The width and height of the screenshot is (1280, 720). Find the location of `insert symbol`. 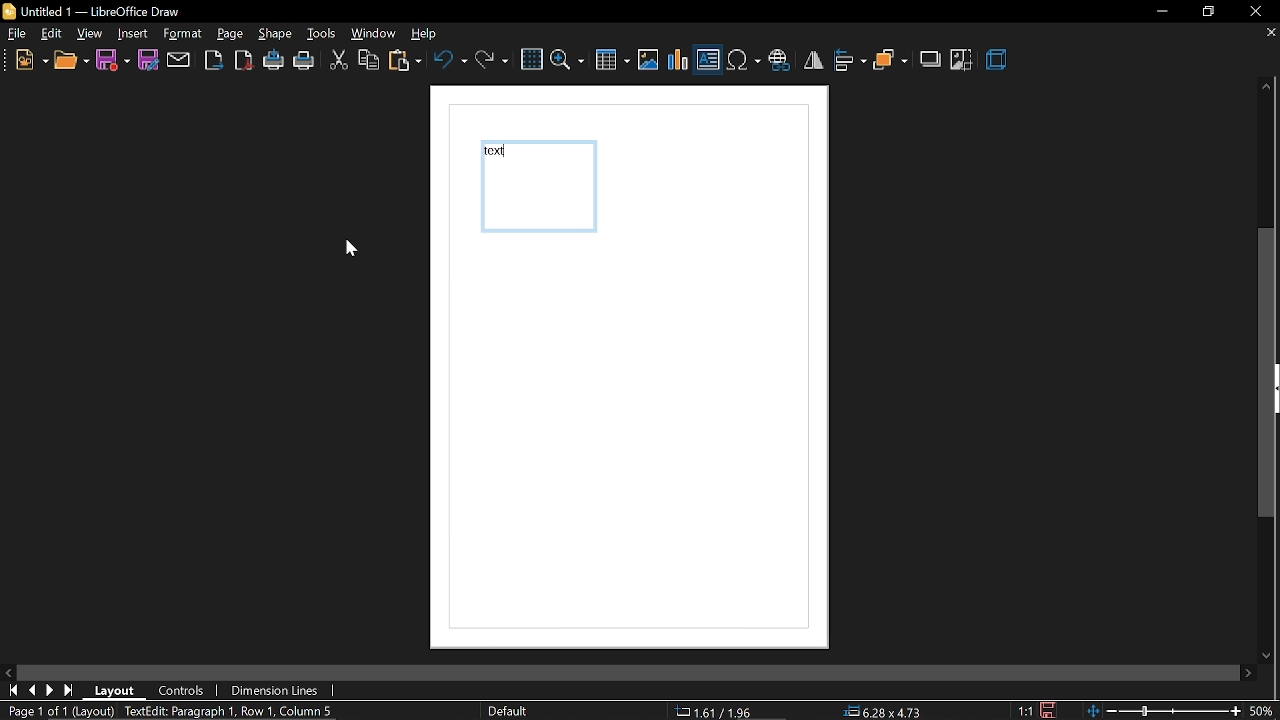

insert symbol is located at coordinates (743, 61).